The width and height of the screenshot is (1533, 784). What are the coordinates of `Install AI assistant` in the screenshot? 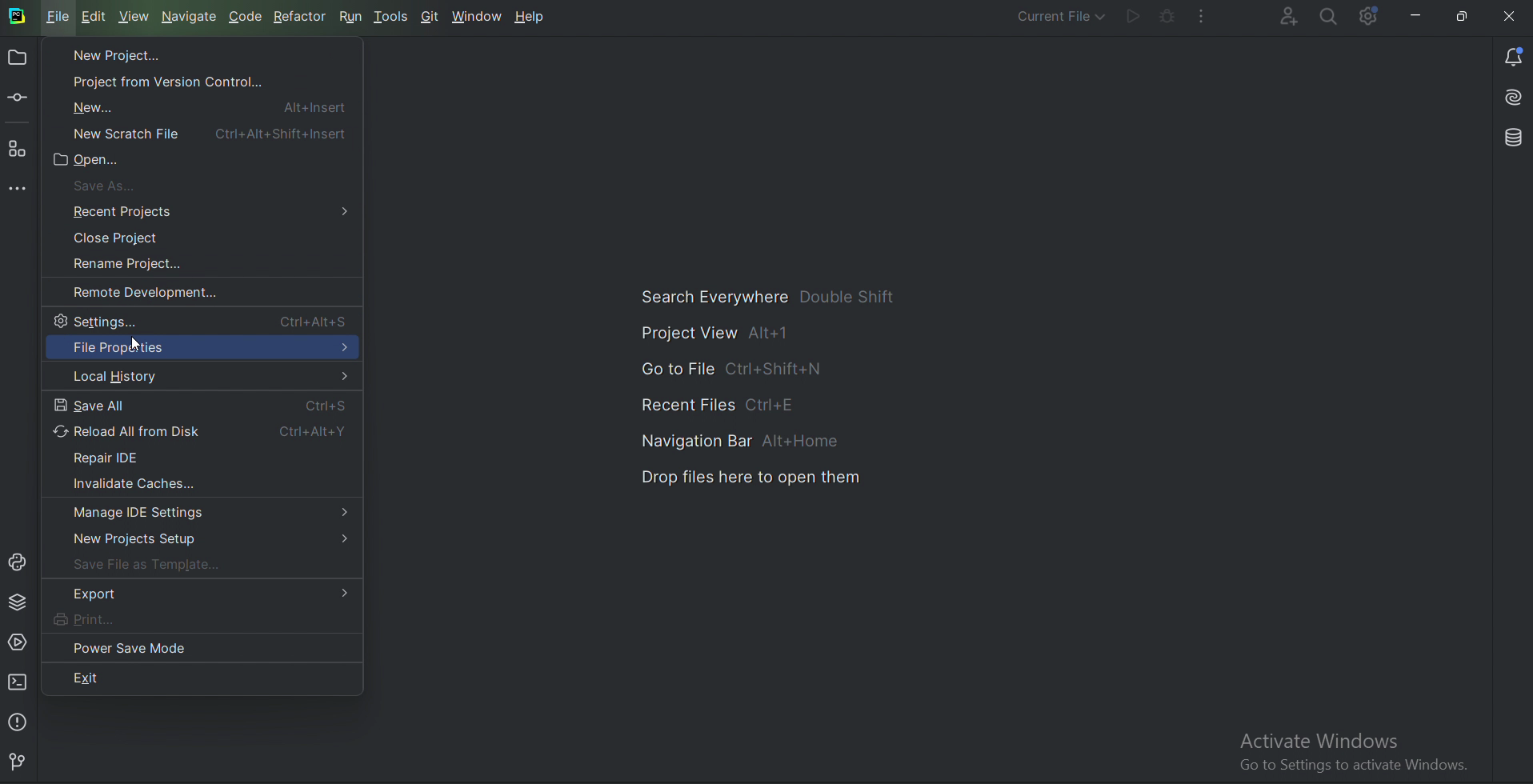 It's located at (1515, 93).